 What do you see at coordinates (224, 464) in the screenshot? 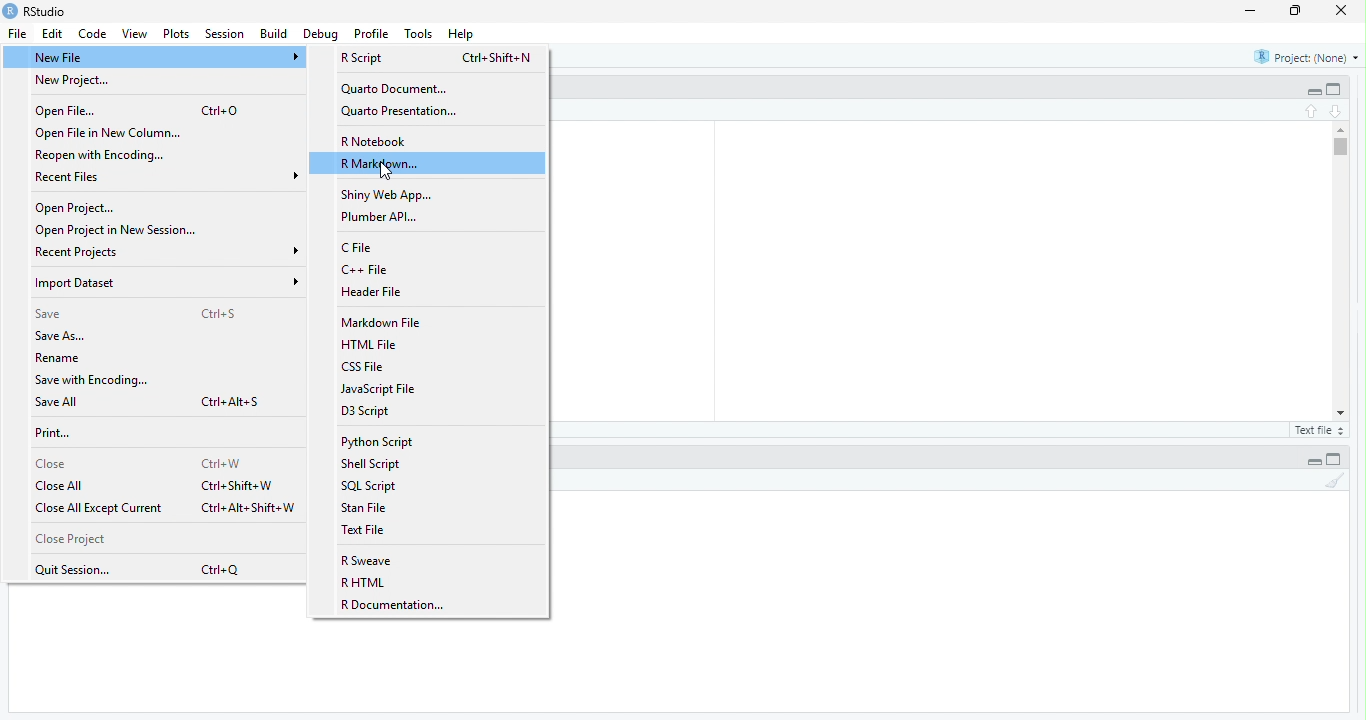
I see `Ctrl+W` at bounding box center [224, 464].